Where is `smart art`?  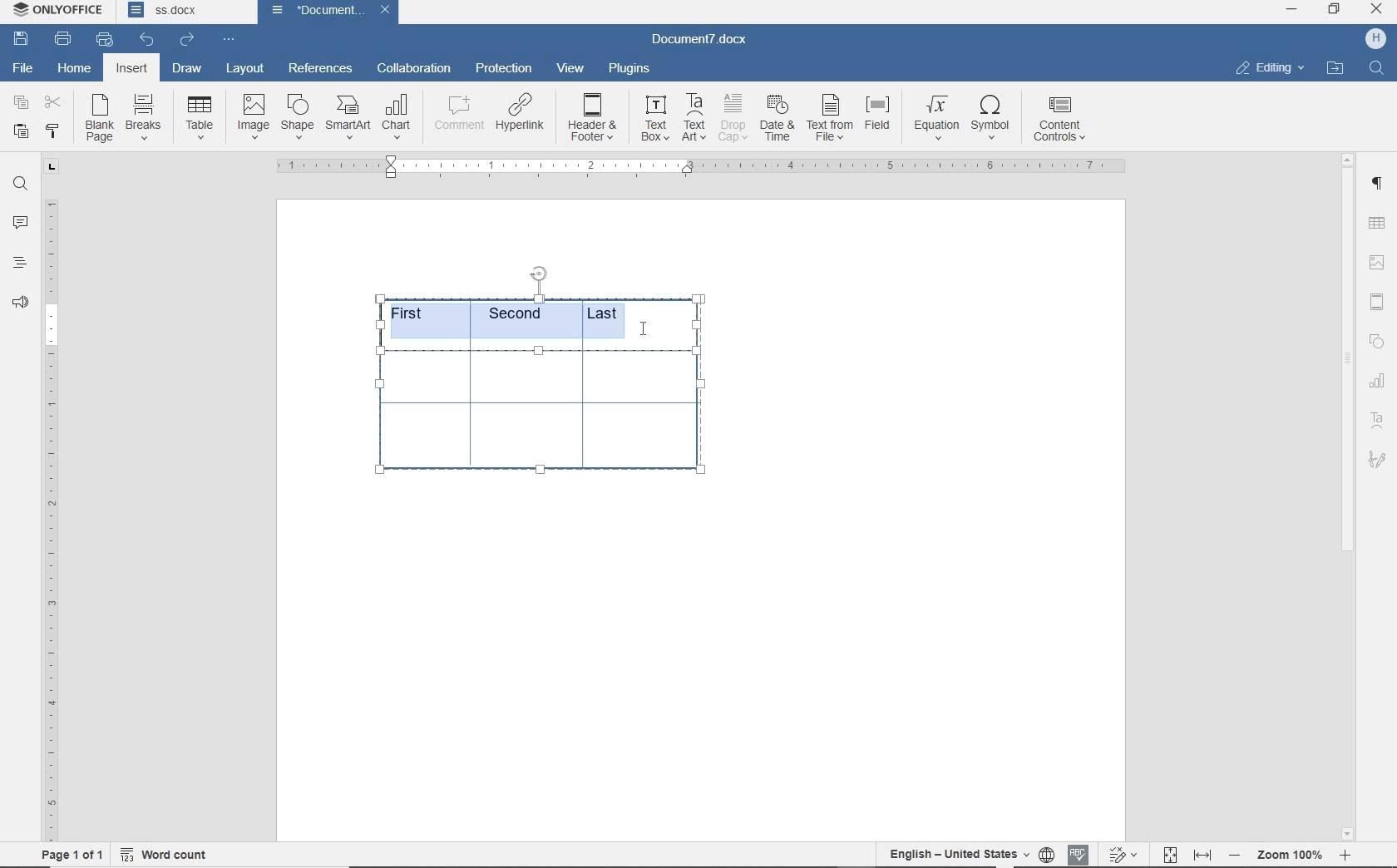
smart art is located at coordinates (348, 119).